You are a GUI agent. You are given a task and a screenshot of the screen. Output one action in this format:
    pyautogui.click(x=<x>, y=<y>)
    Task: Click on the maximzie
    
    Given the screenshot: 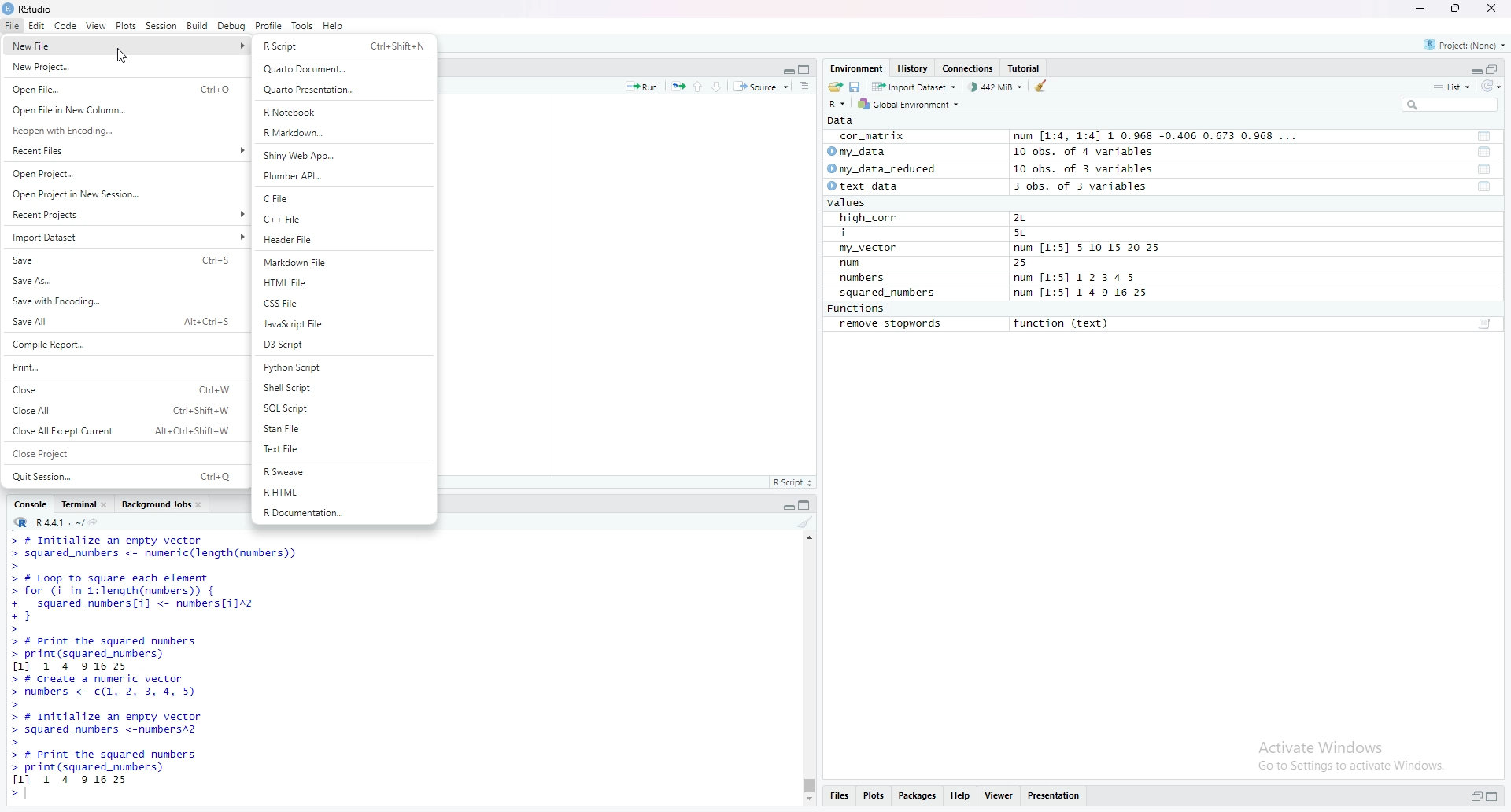 What is the action you would take?
    pyautogui.click(x=1496, y=67)
    